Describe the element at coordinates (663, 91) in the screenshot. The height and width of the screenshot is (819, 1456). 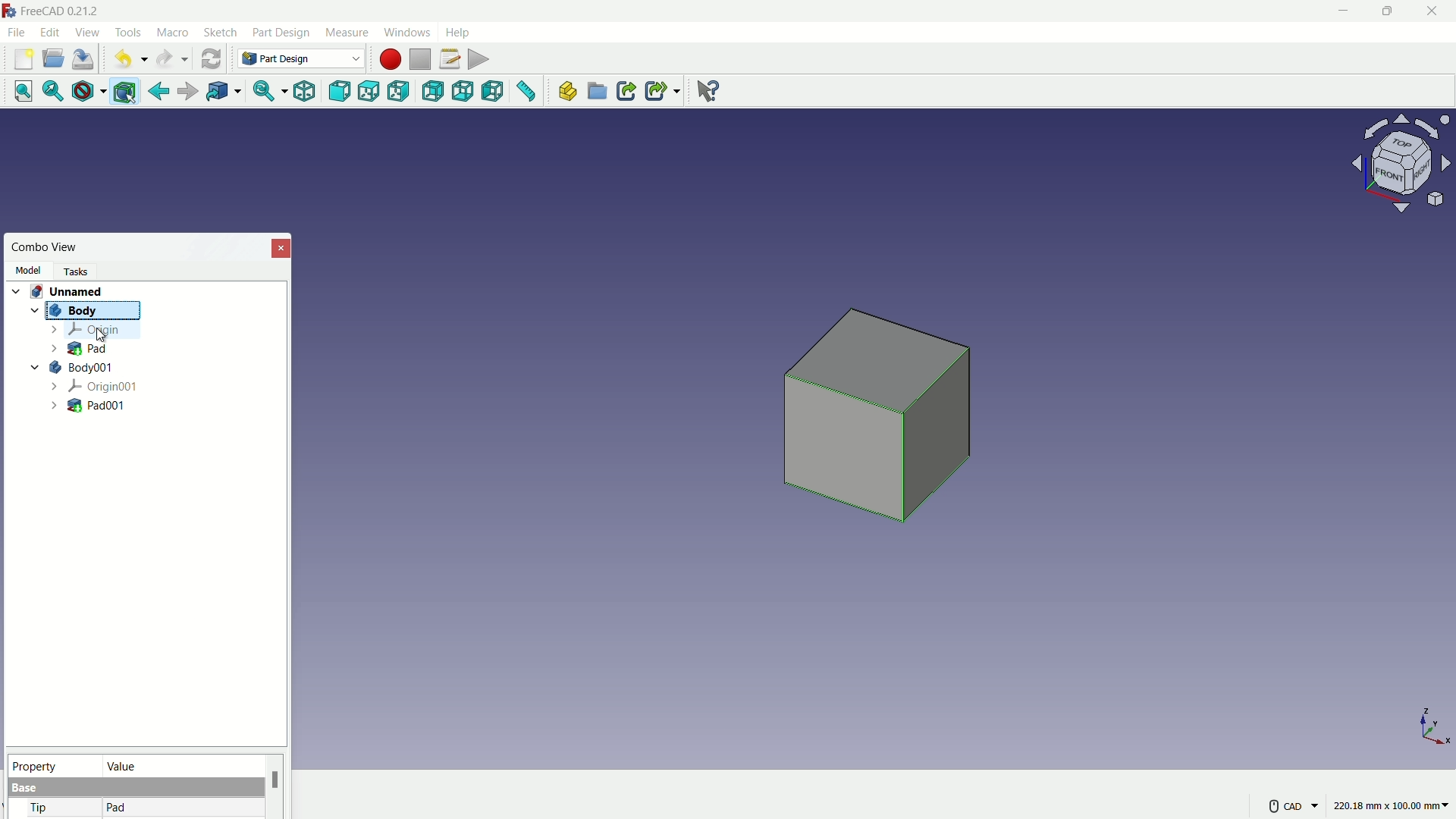
I see `make sublink` at that location.